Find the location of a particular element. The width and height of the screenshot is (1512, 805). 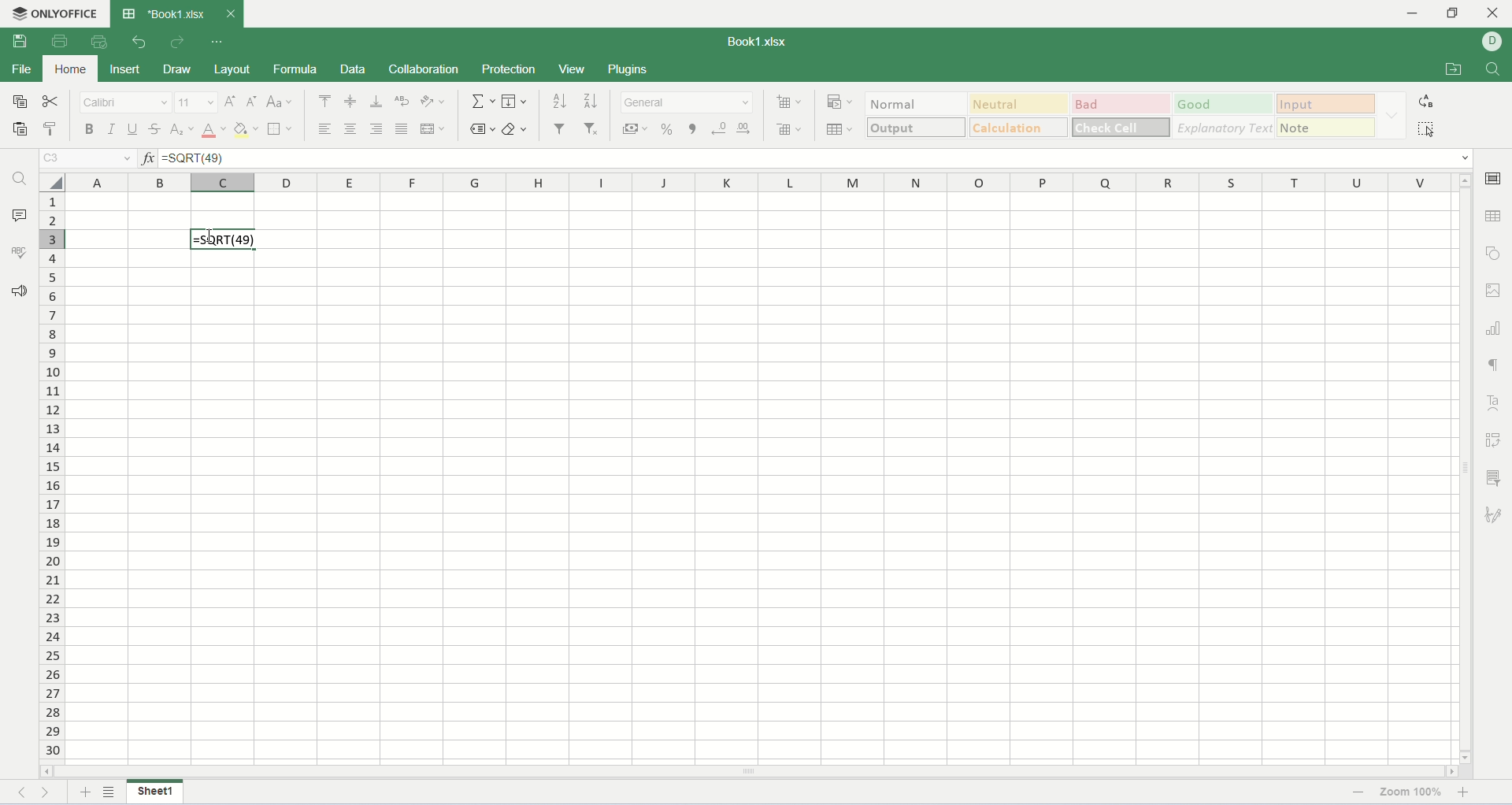

font color is located at coordinates (211, 130).